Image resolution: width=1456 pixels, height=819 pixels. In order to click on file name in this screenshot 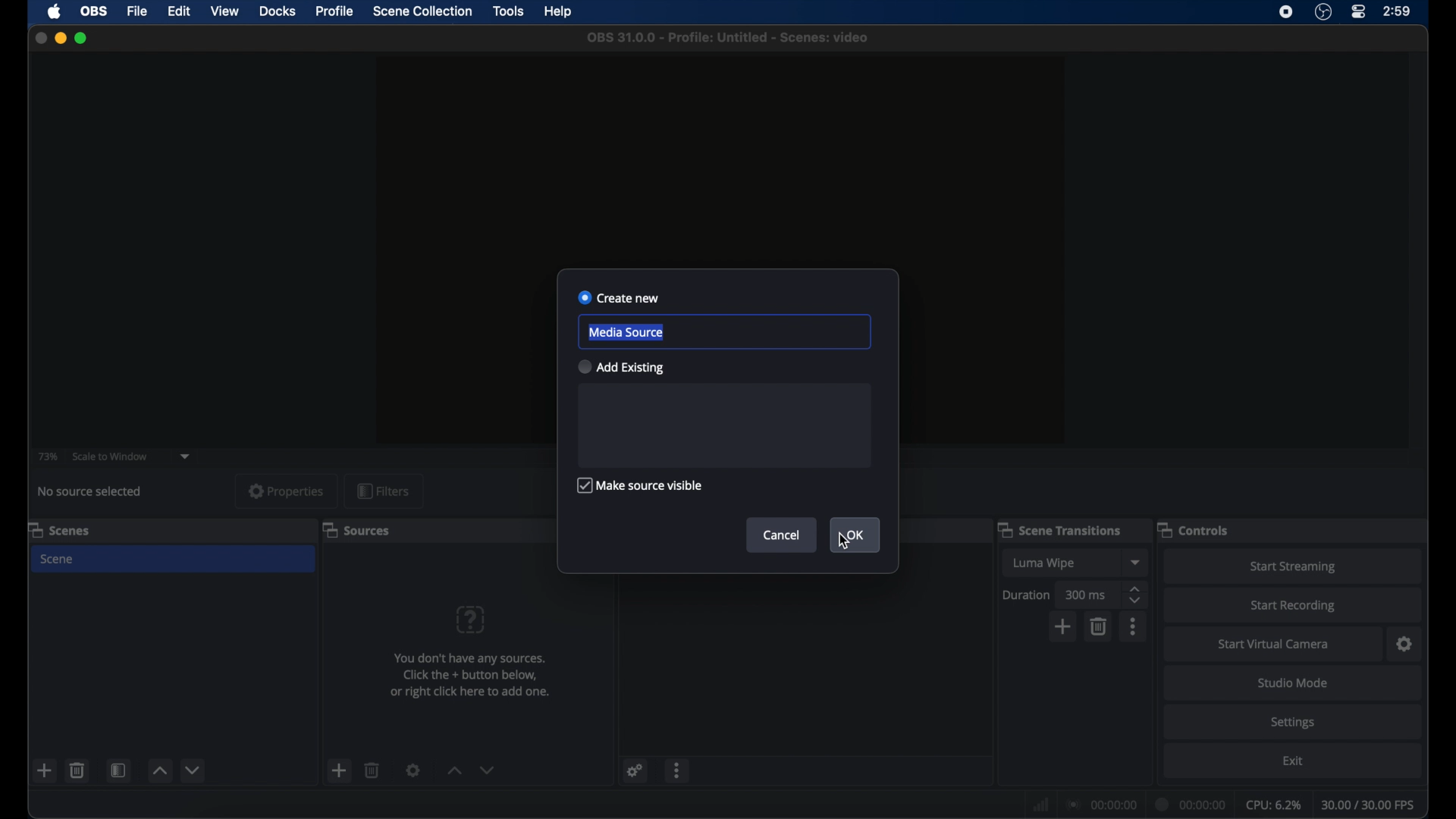, I will do `click(729, 38)`.